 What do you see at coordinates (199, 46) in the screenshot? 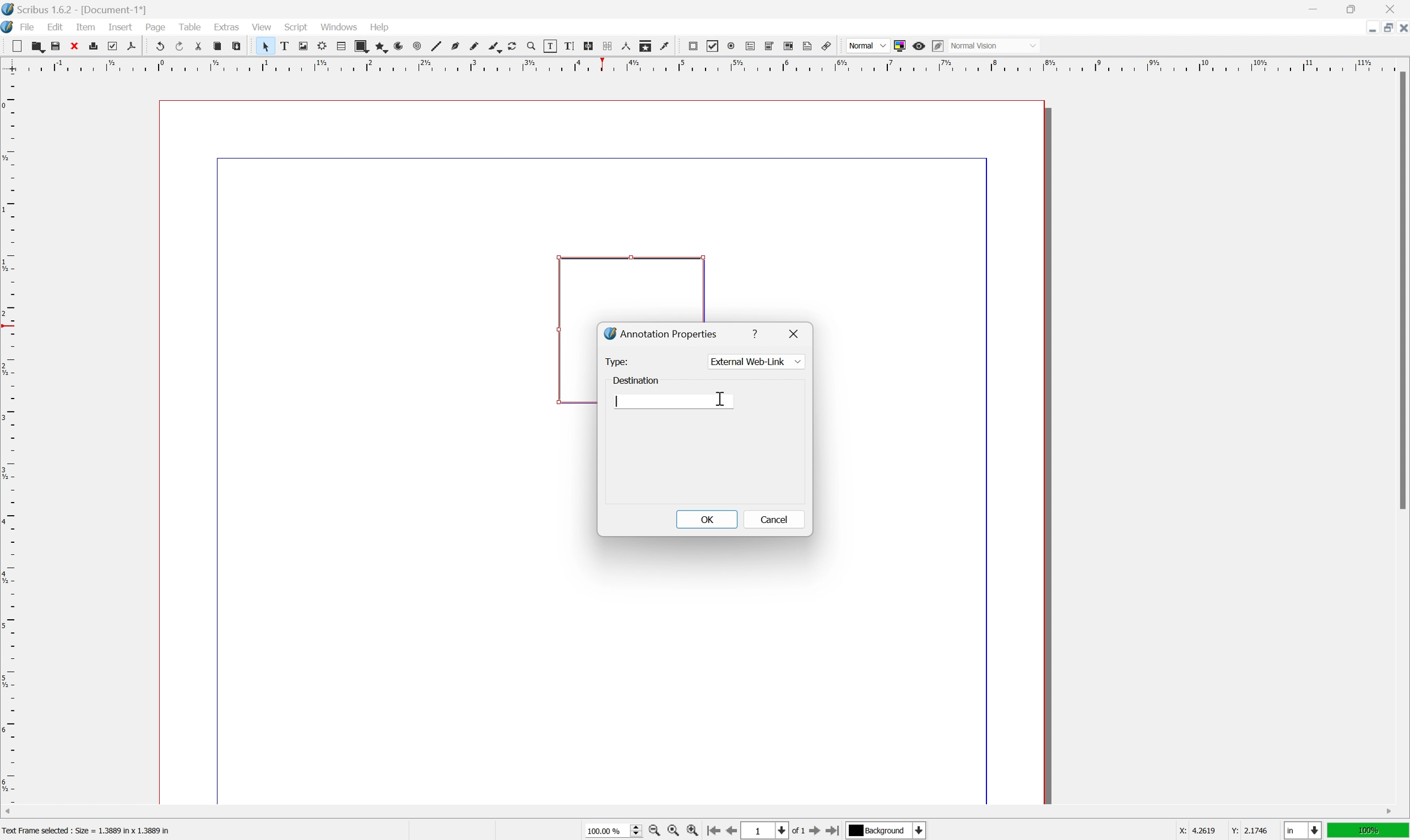
I see `cut` at bounding box center [199, 46].